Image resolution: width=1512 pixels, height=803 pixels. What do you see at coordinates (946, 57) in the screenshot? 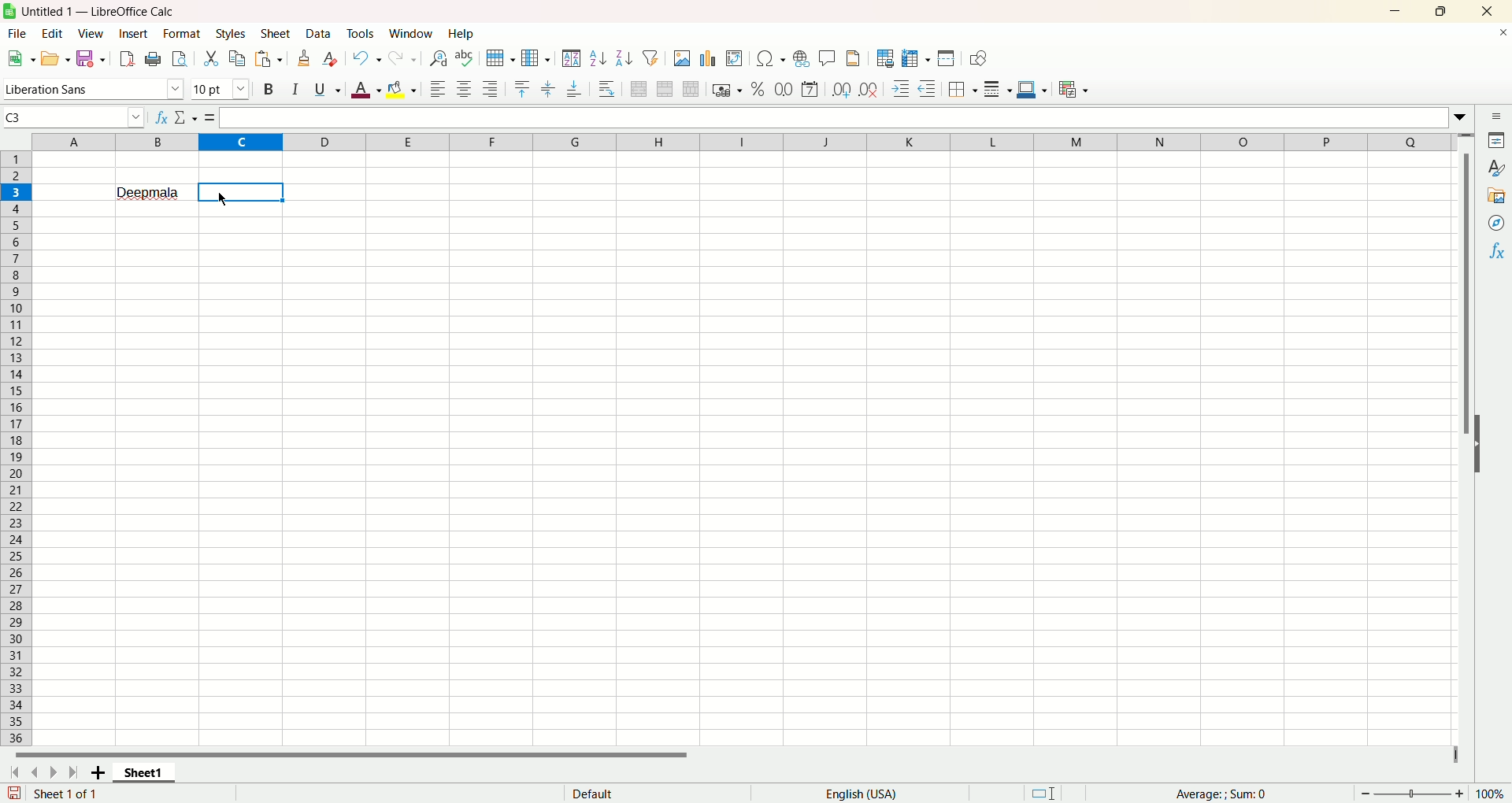
I see `Split window` at bounding box center [946, 57].